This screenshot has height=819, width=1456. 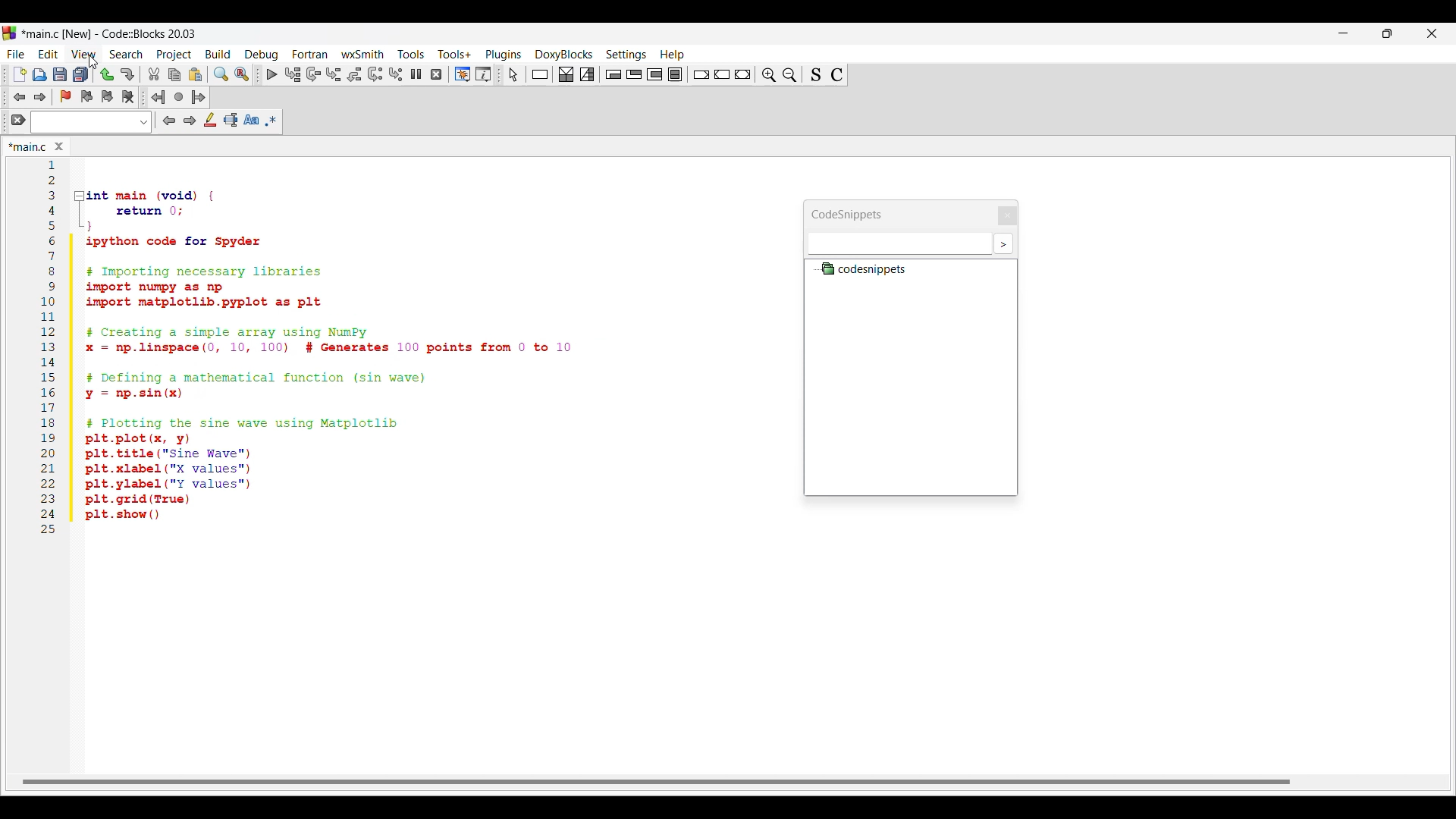 What do you see at coordinates (462, 74) in the screenshot?
I see `Debugging windows` at bounding box center [462, 74].